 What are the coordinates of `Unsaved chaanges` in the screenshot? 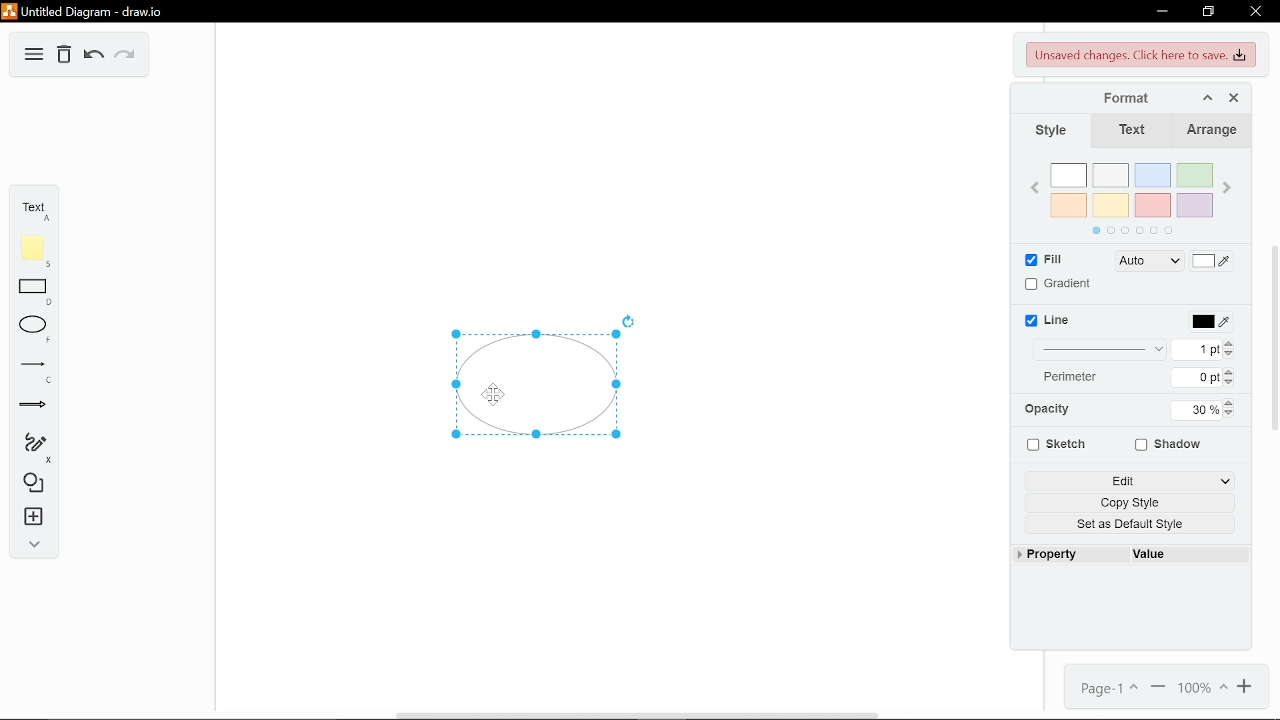 It's located at (1142, 55).